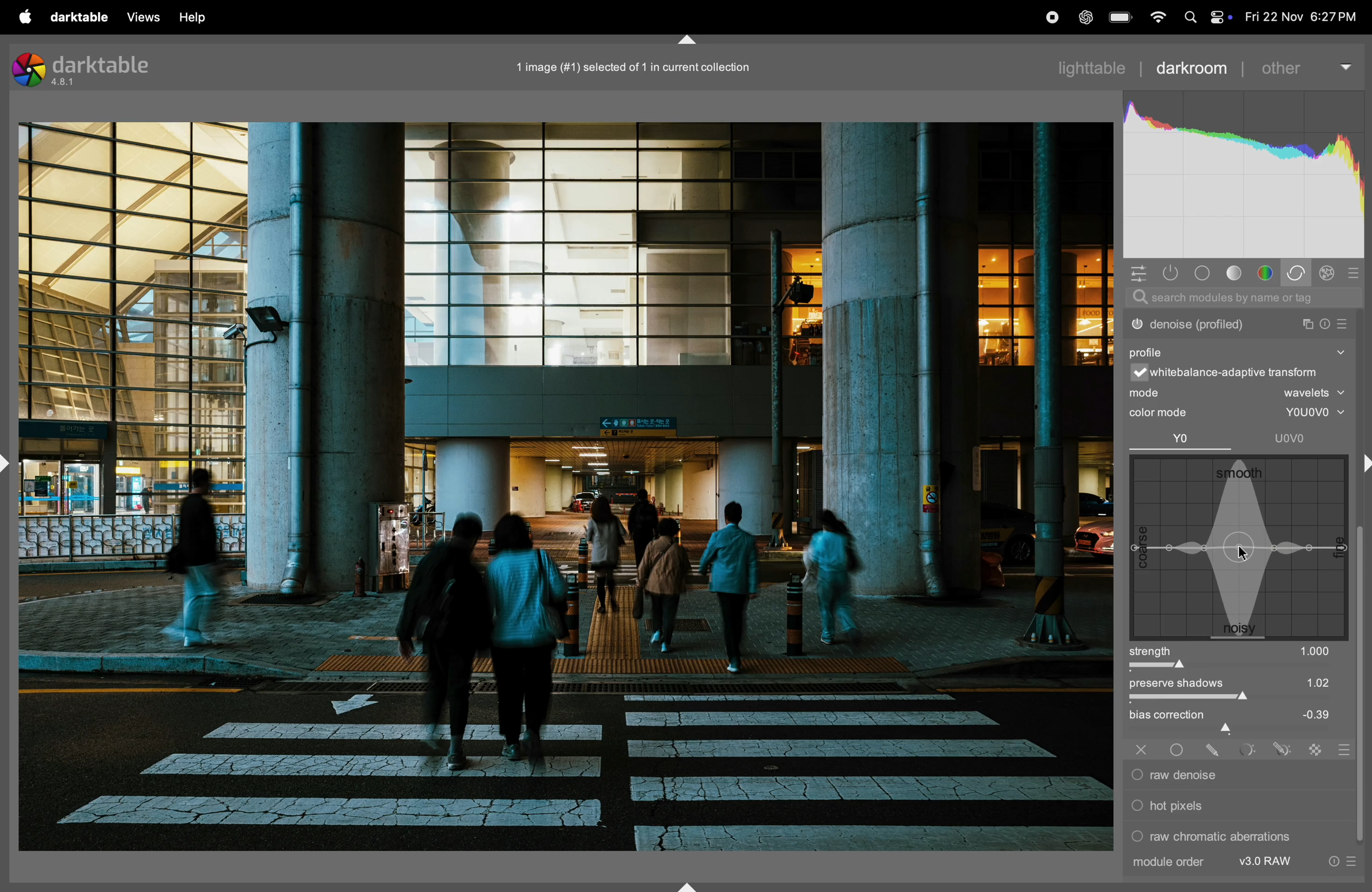 The image size is (1372, 892). I want to click on Image, so click(566, 487).